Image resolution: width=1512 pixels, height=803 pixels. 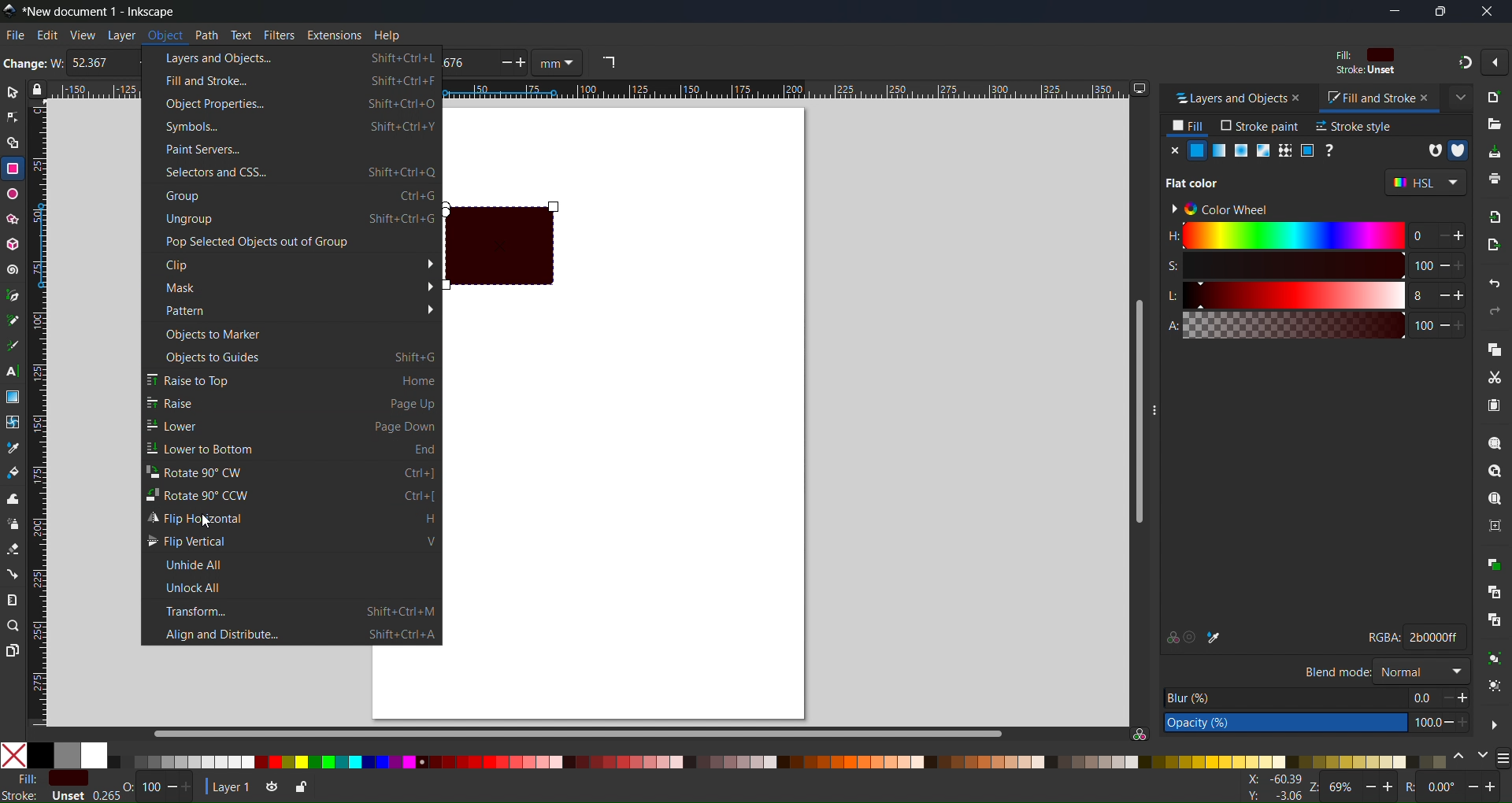 I want to click on 0, so click(x=1416, y=235).